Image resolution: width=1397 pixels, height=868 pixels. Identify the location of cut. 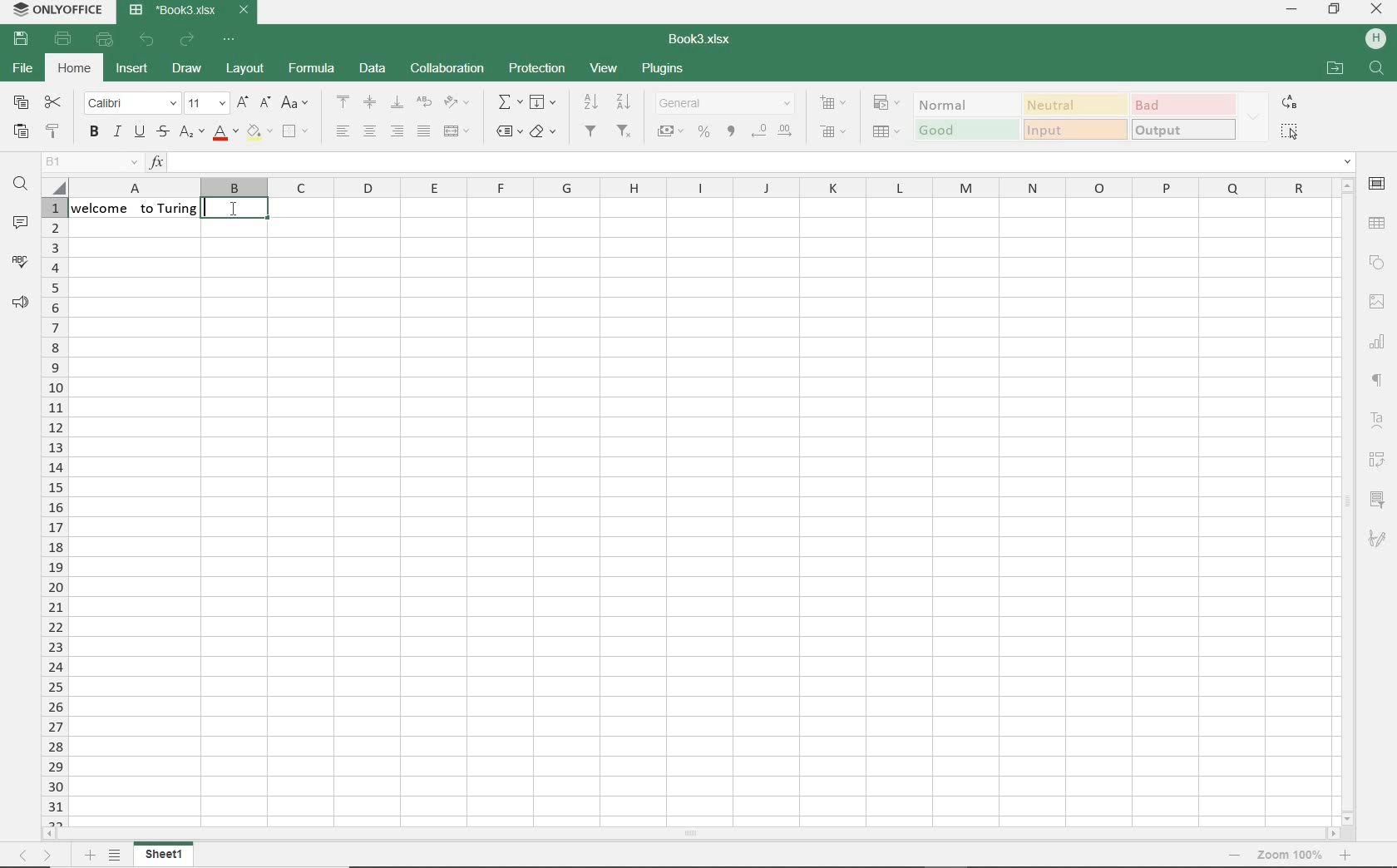
(54, 102).